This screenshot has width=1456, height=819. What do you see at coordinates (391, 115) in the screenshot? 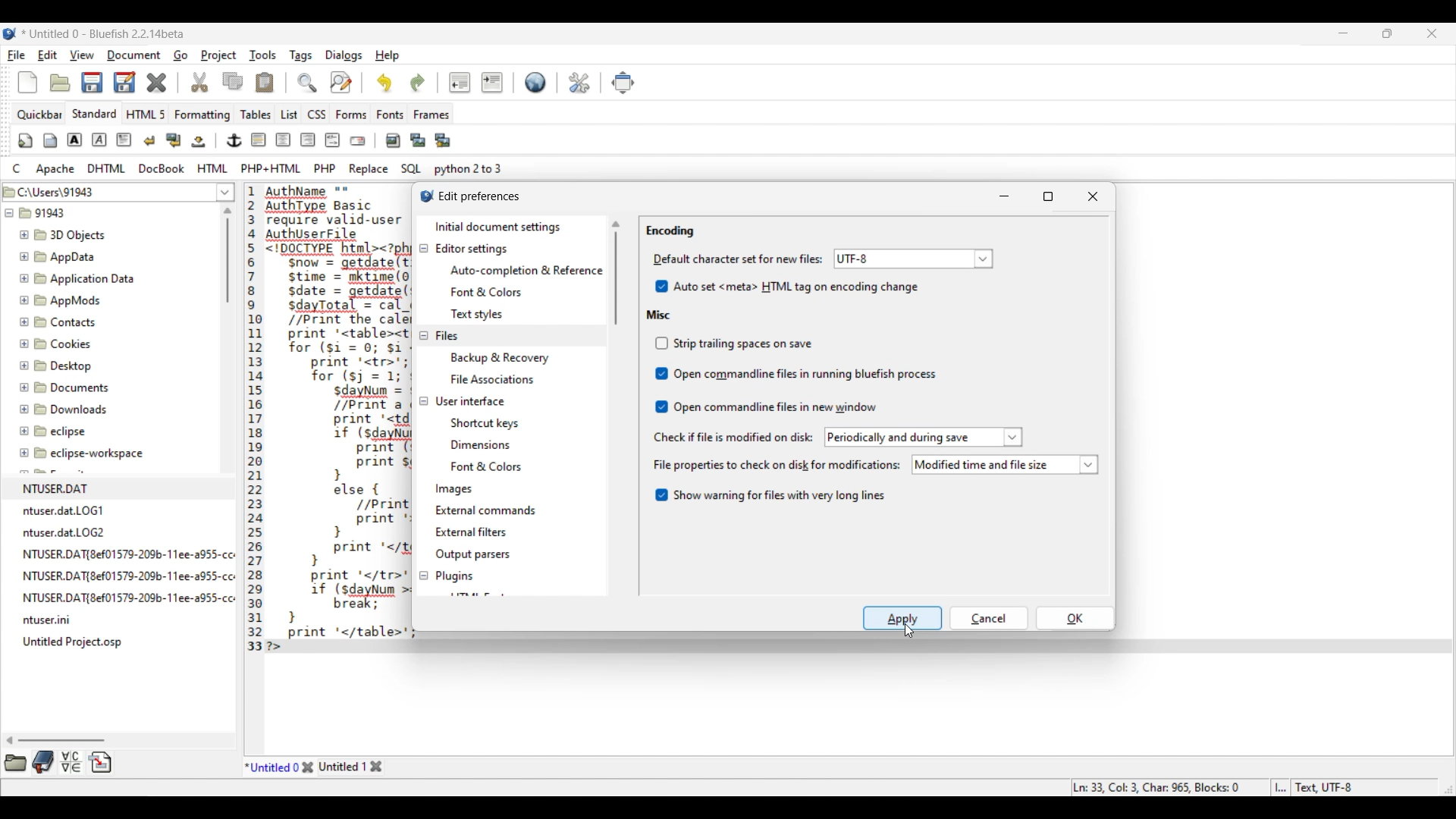
I see `Fonts` at bounding box center [391, 115].